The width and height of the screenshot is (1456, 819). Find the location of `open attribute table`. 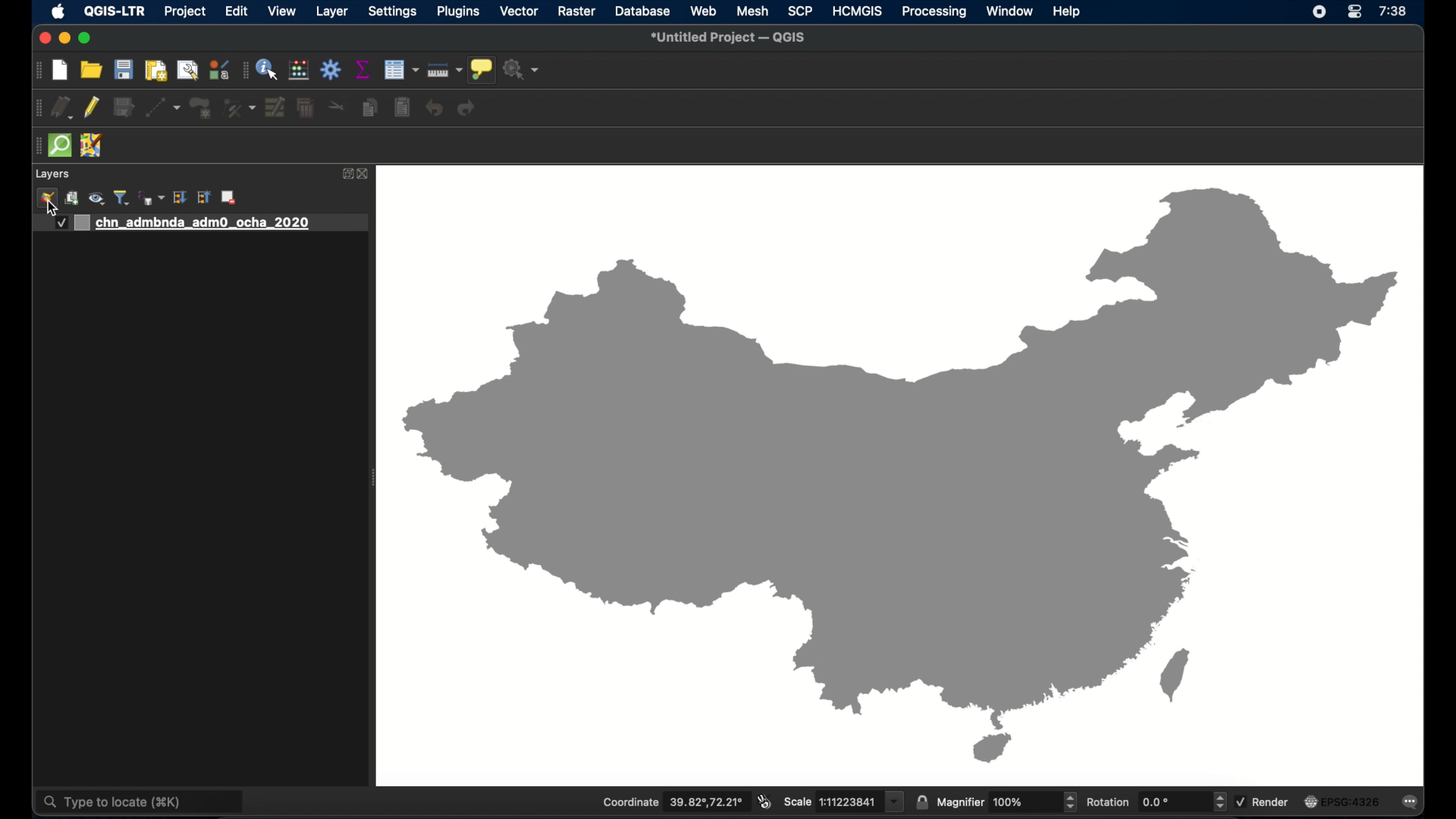

open attribute table is located at coordinates (401, 70).